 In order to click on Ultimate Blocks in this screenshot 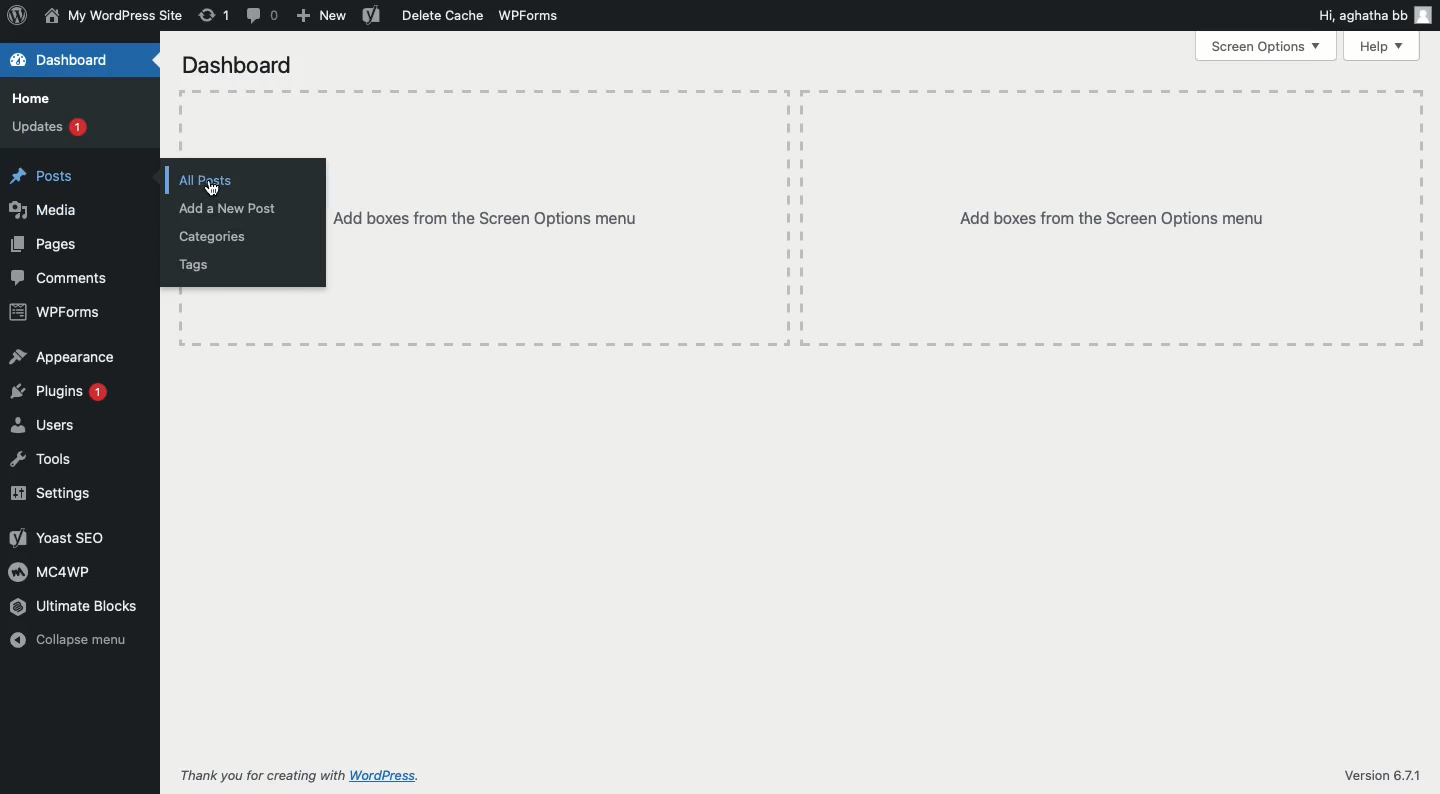, I will do `click(87, 605)`.